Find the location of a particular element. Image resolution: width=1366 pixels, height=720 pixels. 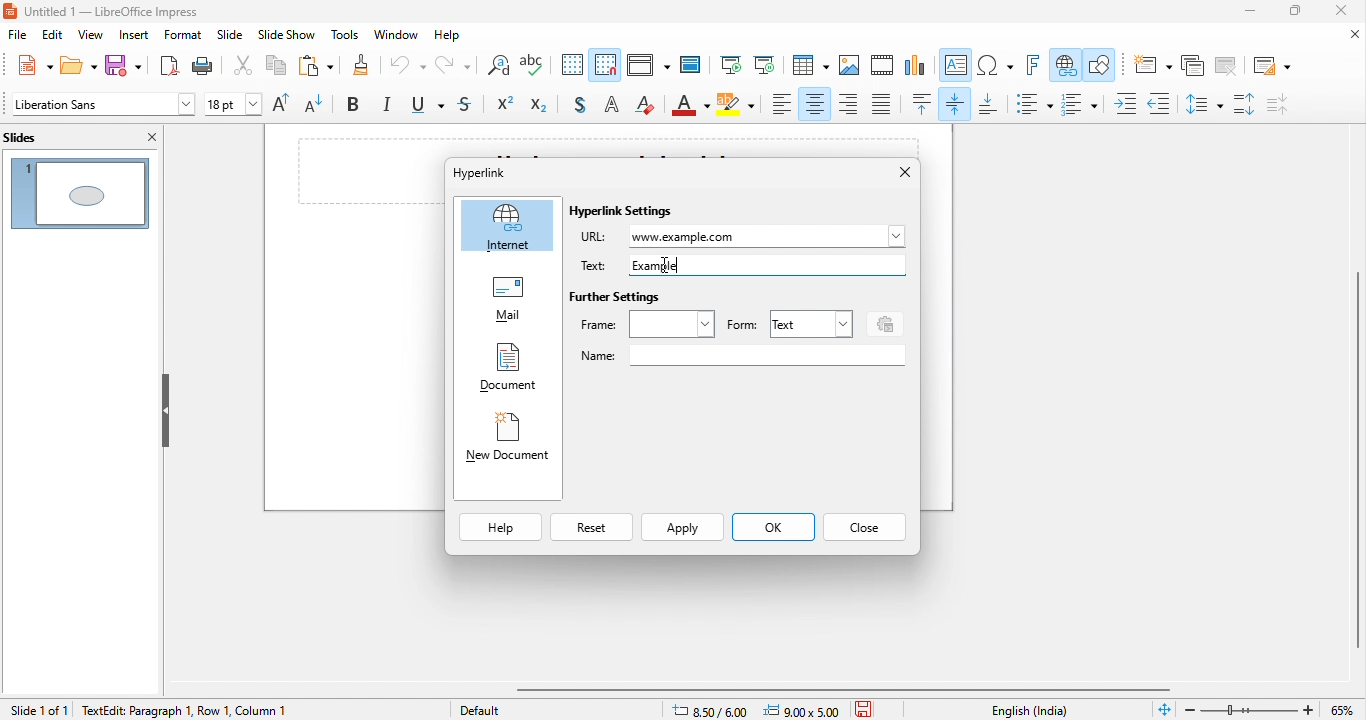

example is located at coordinates (667, 264).